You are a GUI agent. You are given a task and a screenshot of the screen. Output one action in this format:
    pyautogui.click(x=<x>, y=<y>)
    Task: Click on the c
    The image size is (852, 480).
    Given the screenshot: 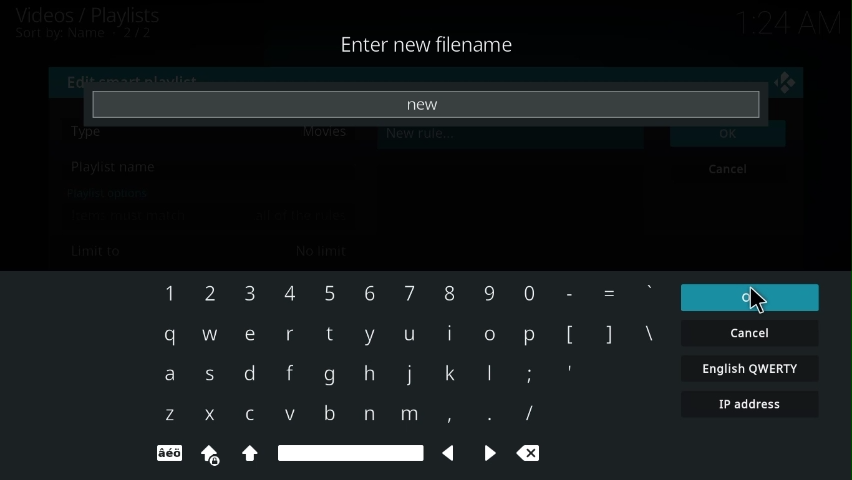 What is the action you would take?
    pyautogui.click(x=248, y=414)
    